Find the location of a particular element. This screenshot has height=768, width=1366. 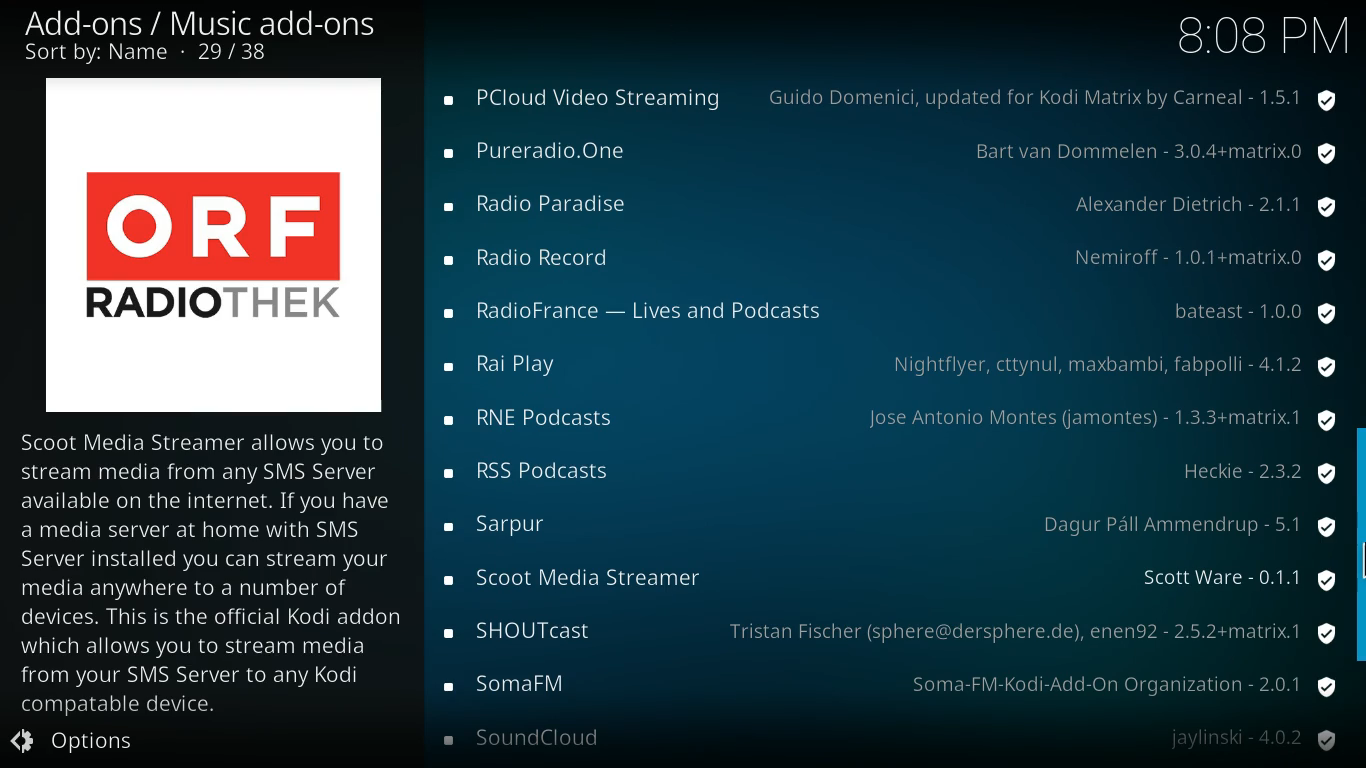

scroll bar is located at coordinates (1361, 543).